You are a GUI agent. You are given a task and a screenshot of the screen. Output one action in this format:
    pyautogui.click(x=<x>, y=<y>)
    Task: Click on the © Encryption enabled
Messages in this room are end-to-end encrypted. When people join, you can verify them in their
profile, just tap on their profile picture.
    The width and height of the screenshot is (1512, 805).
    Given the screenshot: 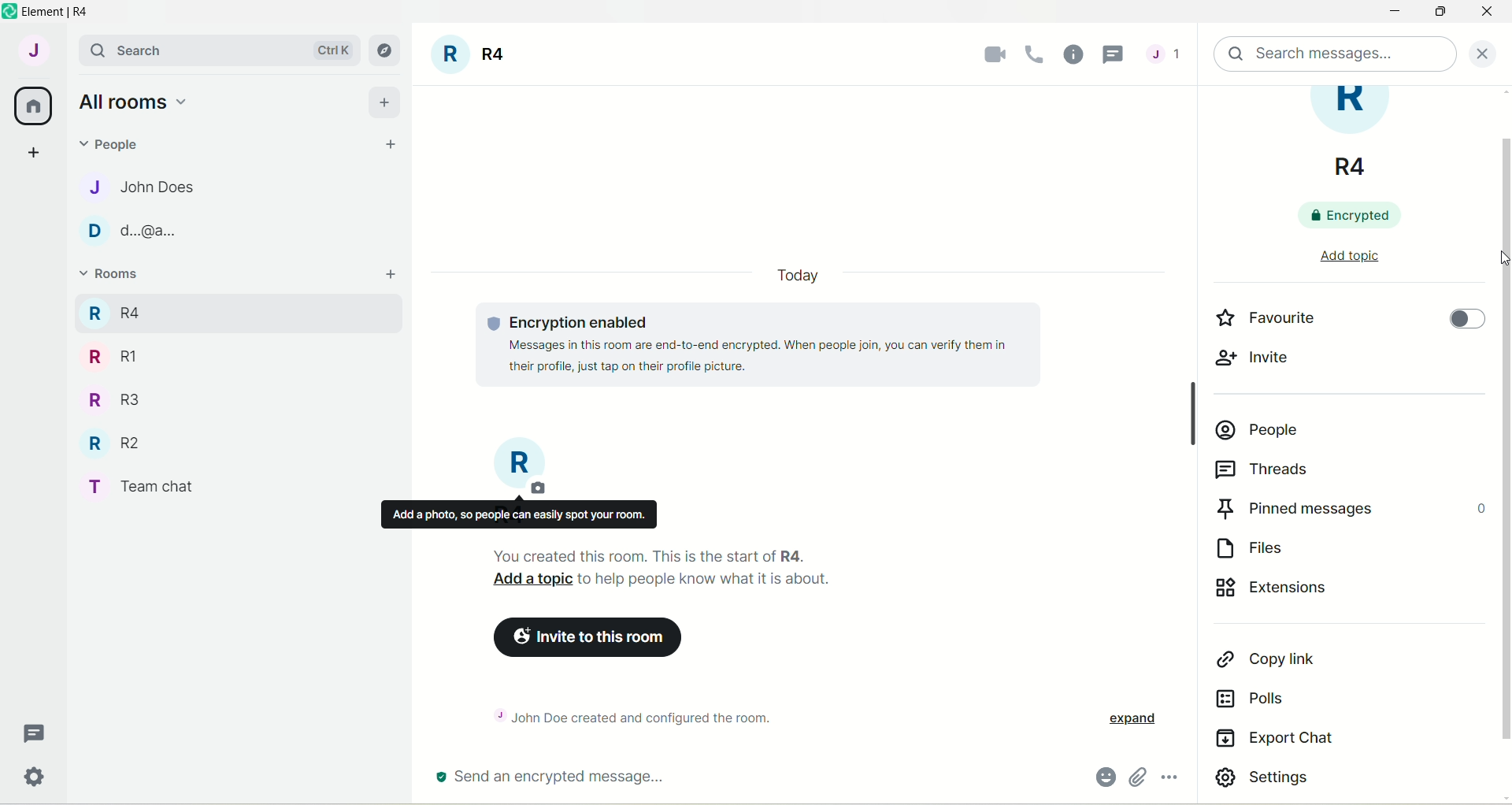 What is the action you would take?
    pyautogui.click(x=770, y=344)
    